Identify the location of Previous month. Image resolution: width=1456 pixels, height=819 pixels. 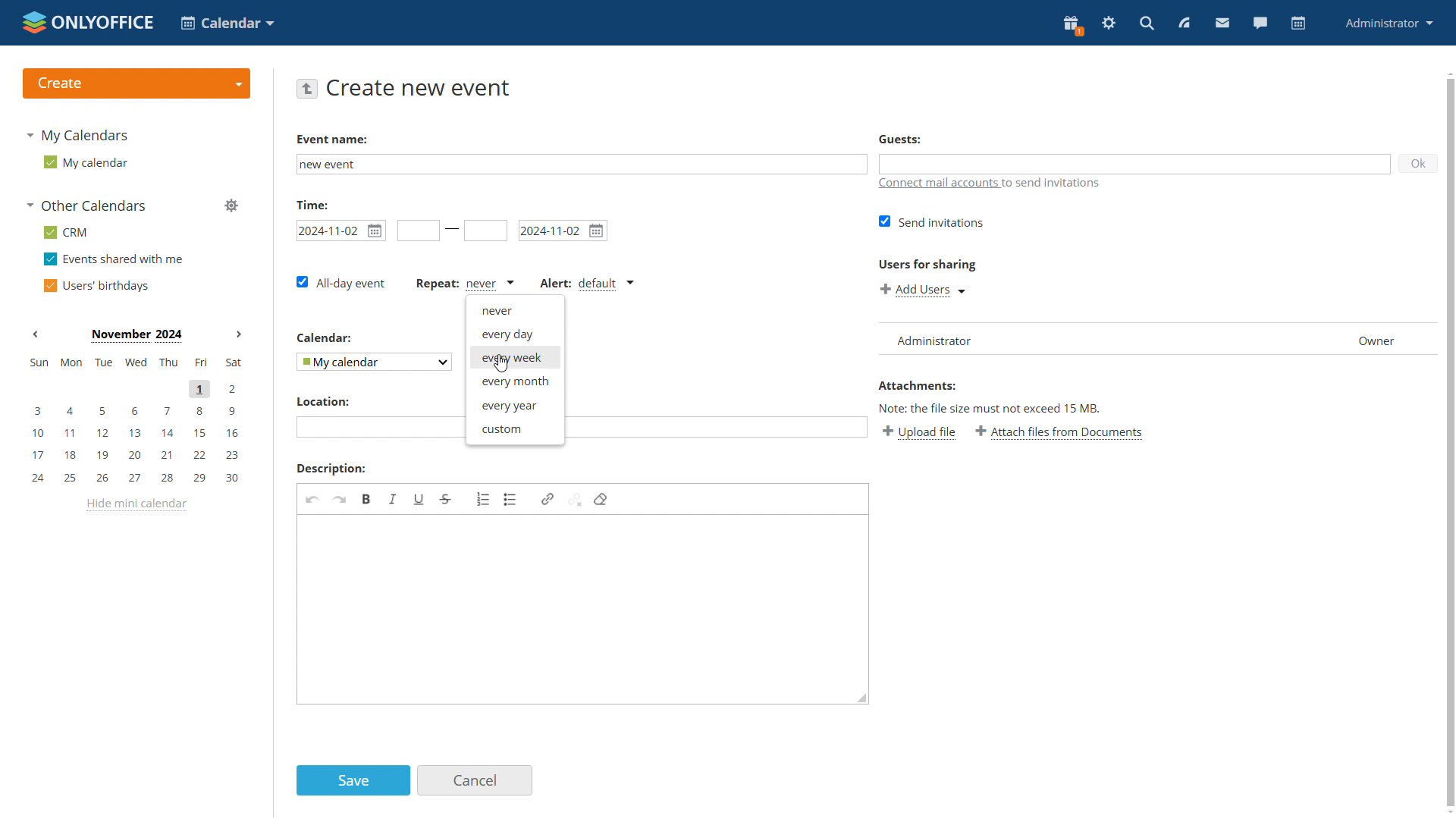
(36, 334).